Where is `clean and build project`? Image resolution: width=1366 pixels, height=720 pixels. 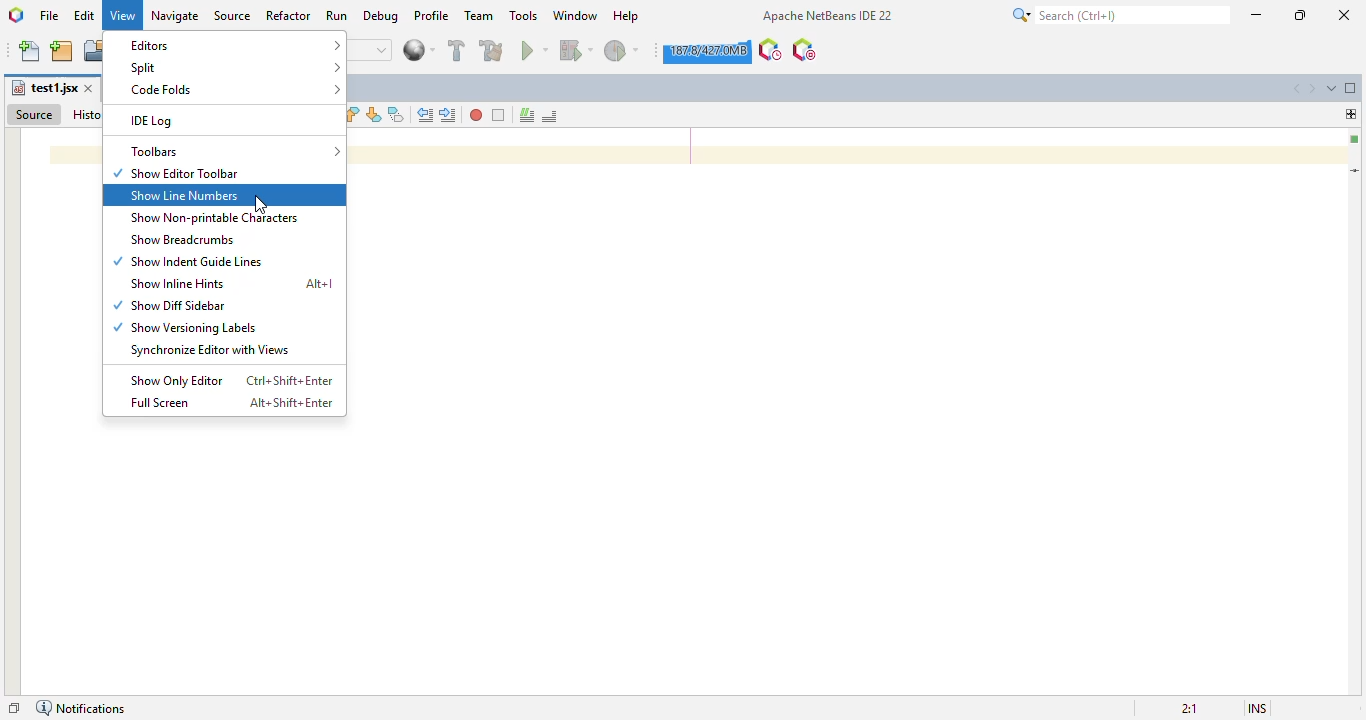
clean and build project is located at coordinates (491, 50).